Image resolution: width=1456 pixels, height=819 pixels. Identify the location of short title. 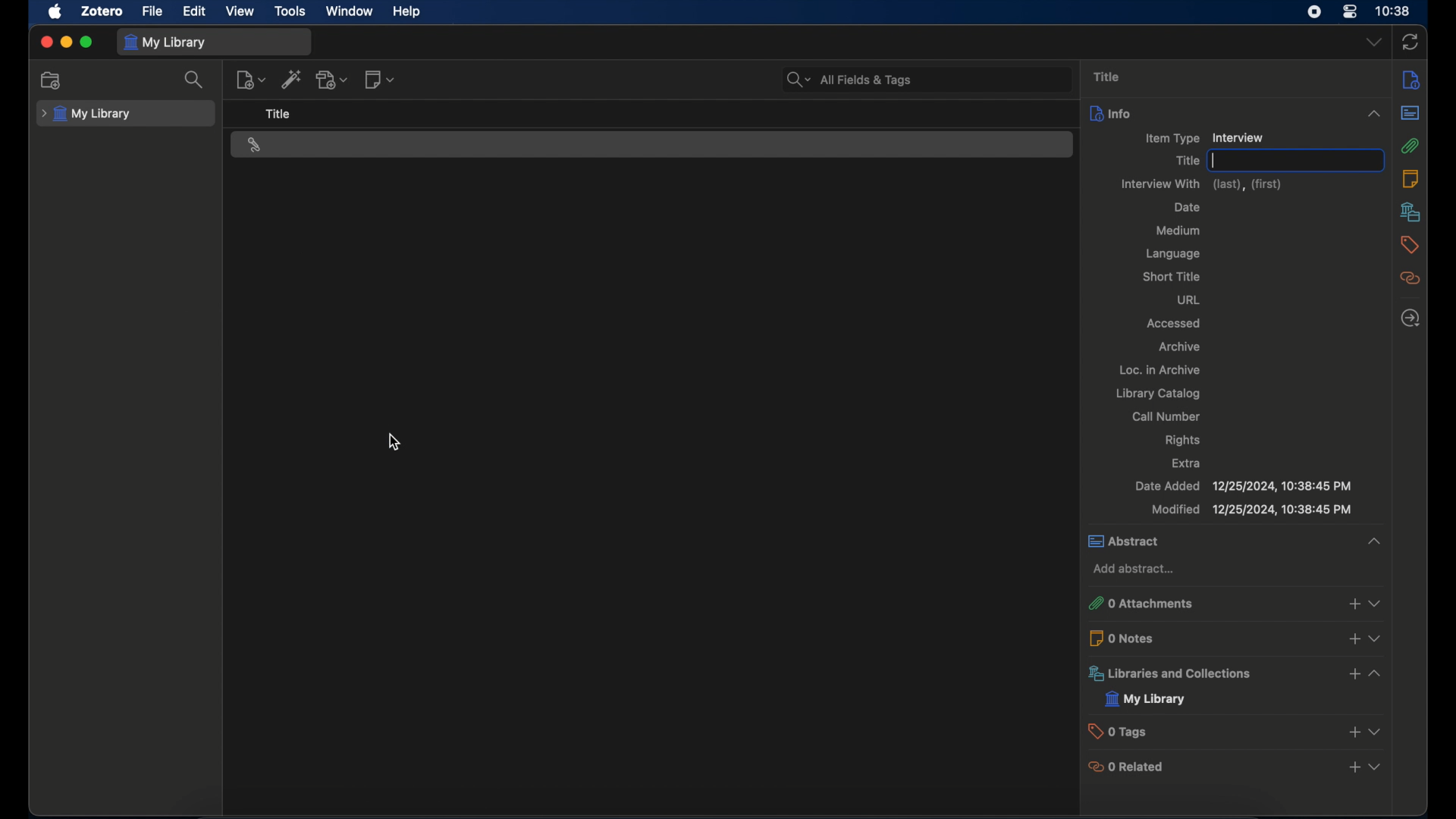
(1174, 276).